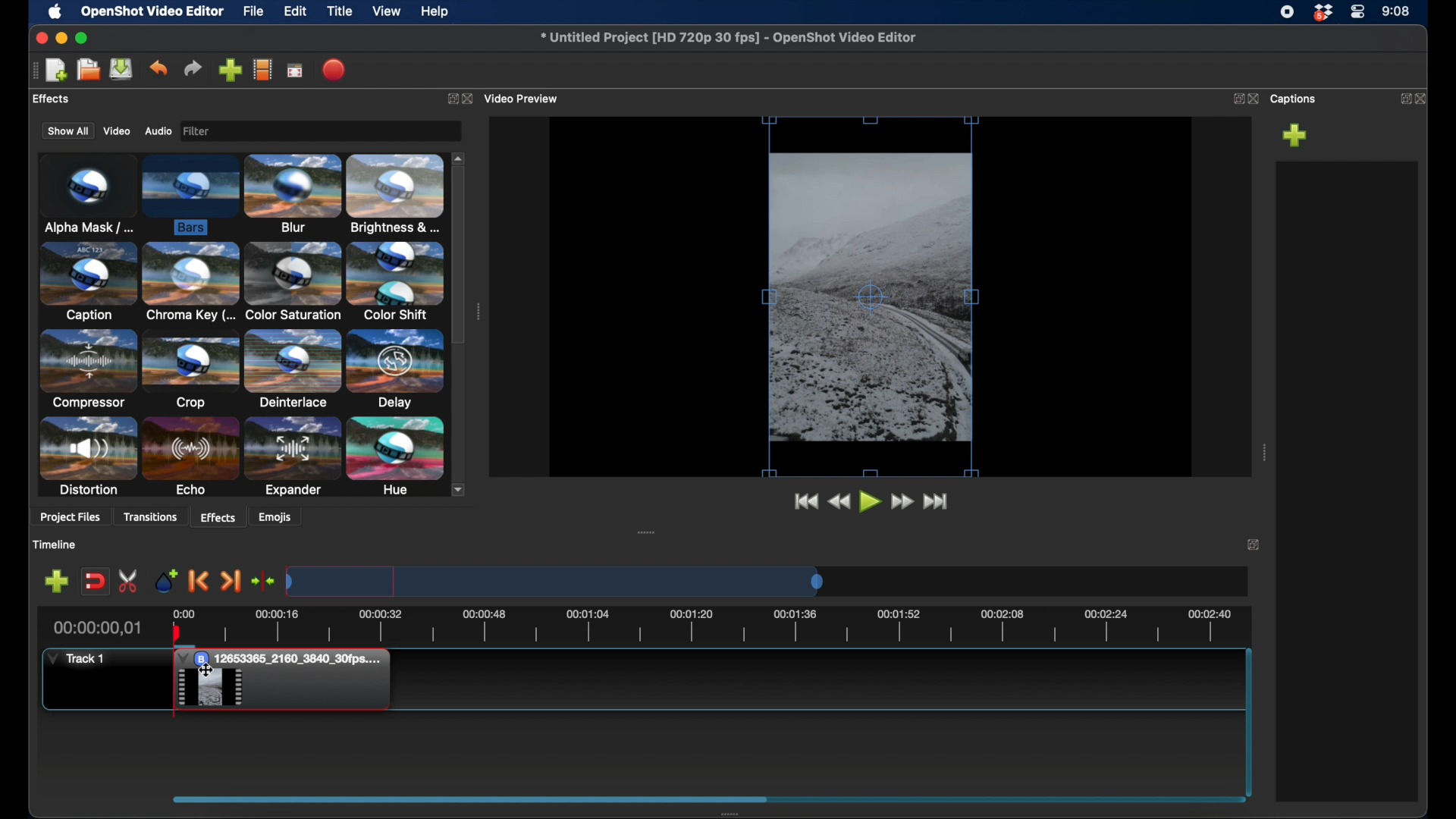  Describe the element at coordinates (66, 99) in the screenshot. I see `project files` at that location.